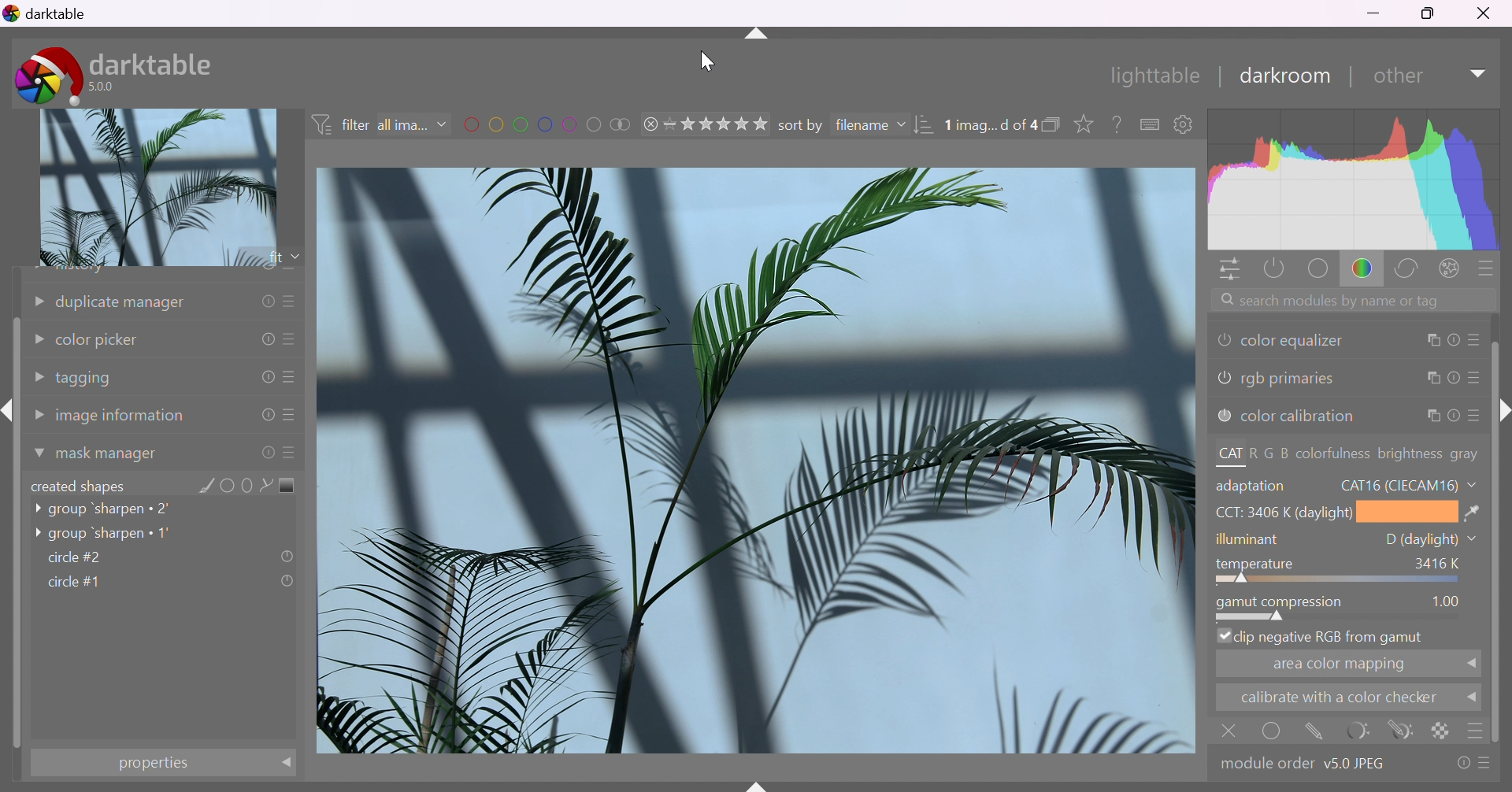 The height and width of the screenshot is (792, 1512). What do you see at coordinates (165, 762) in the screenshot?
I see `properties` at bounding box center [165, 762].